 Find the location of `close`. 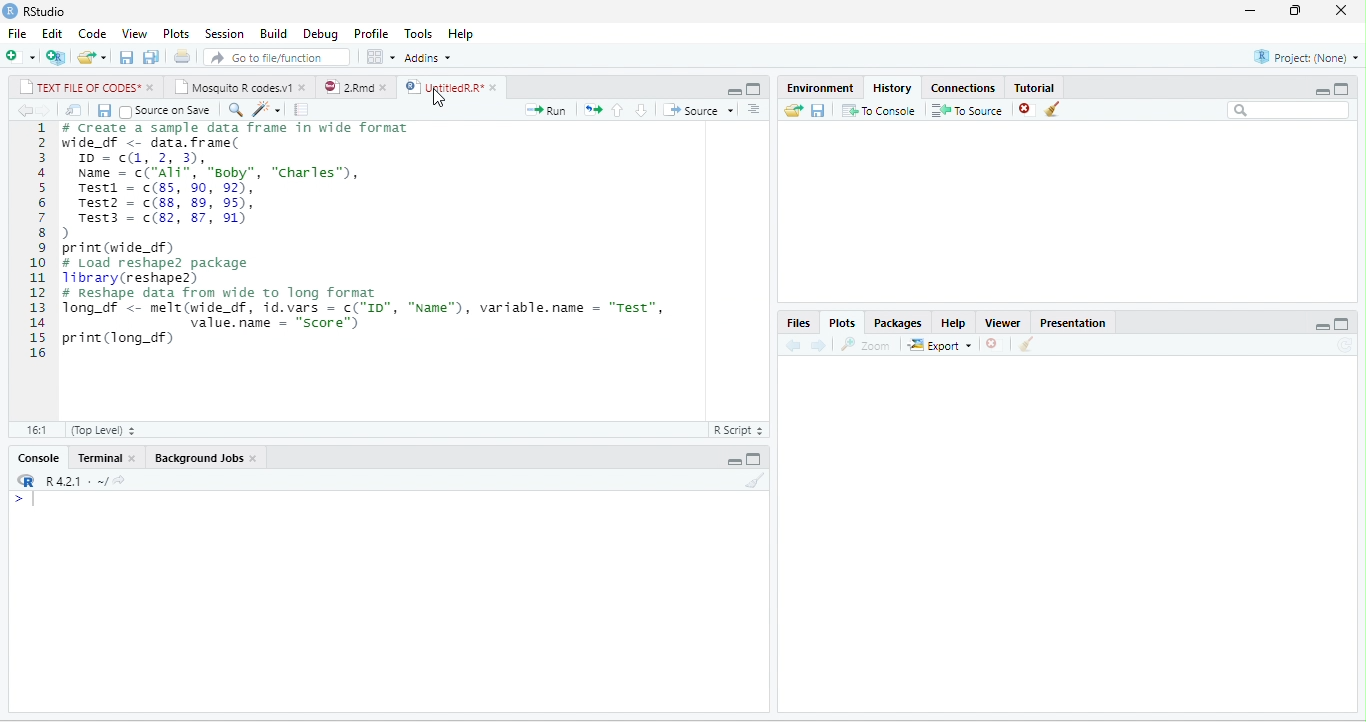

close is located at coordinates (254, 459).